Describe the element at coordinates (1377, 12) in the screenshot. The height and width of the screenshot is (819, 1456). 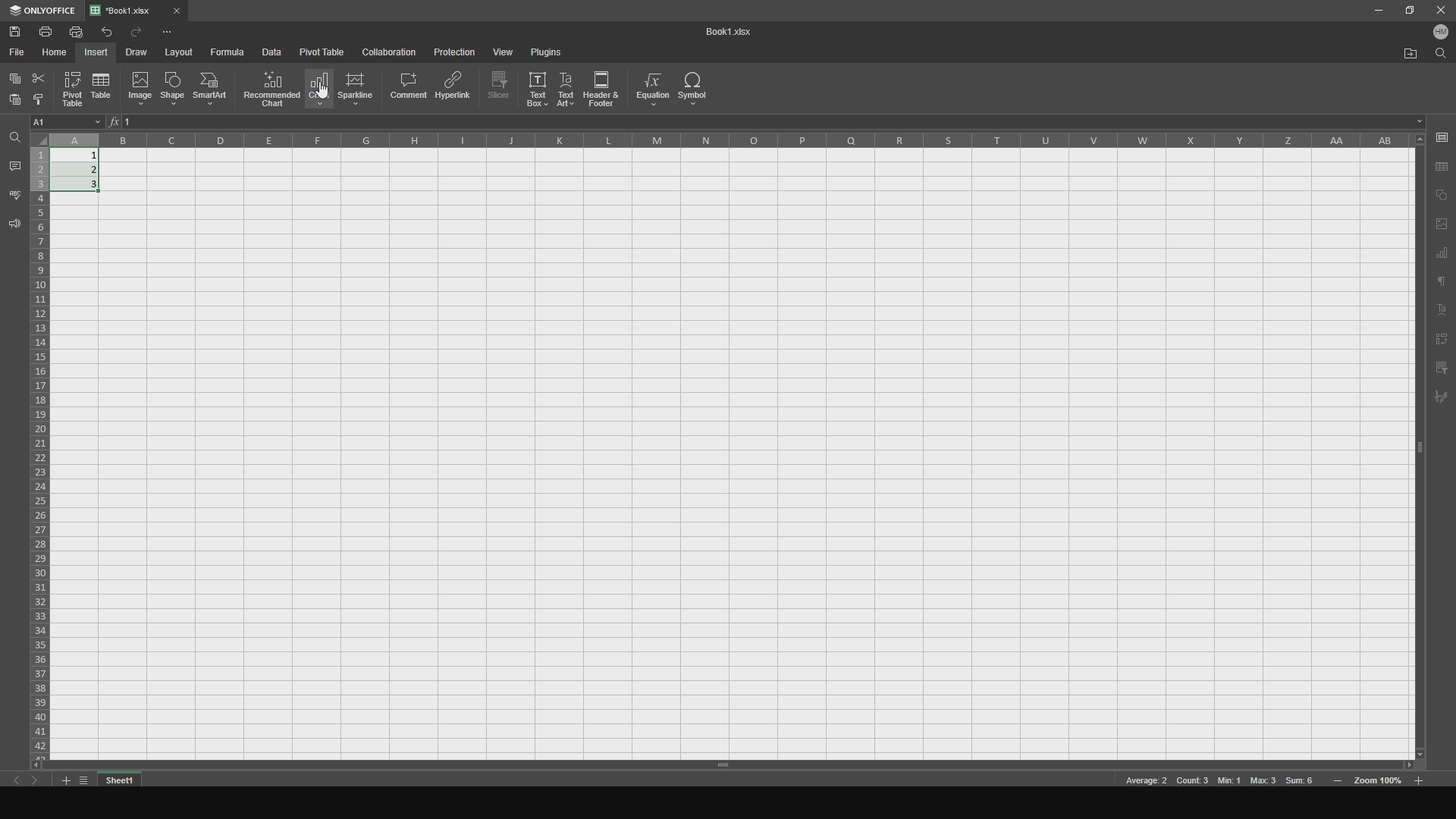
I see `minimize` at that location.